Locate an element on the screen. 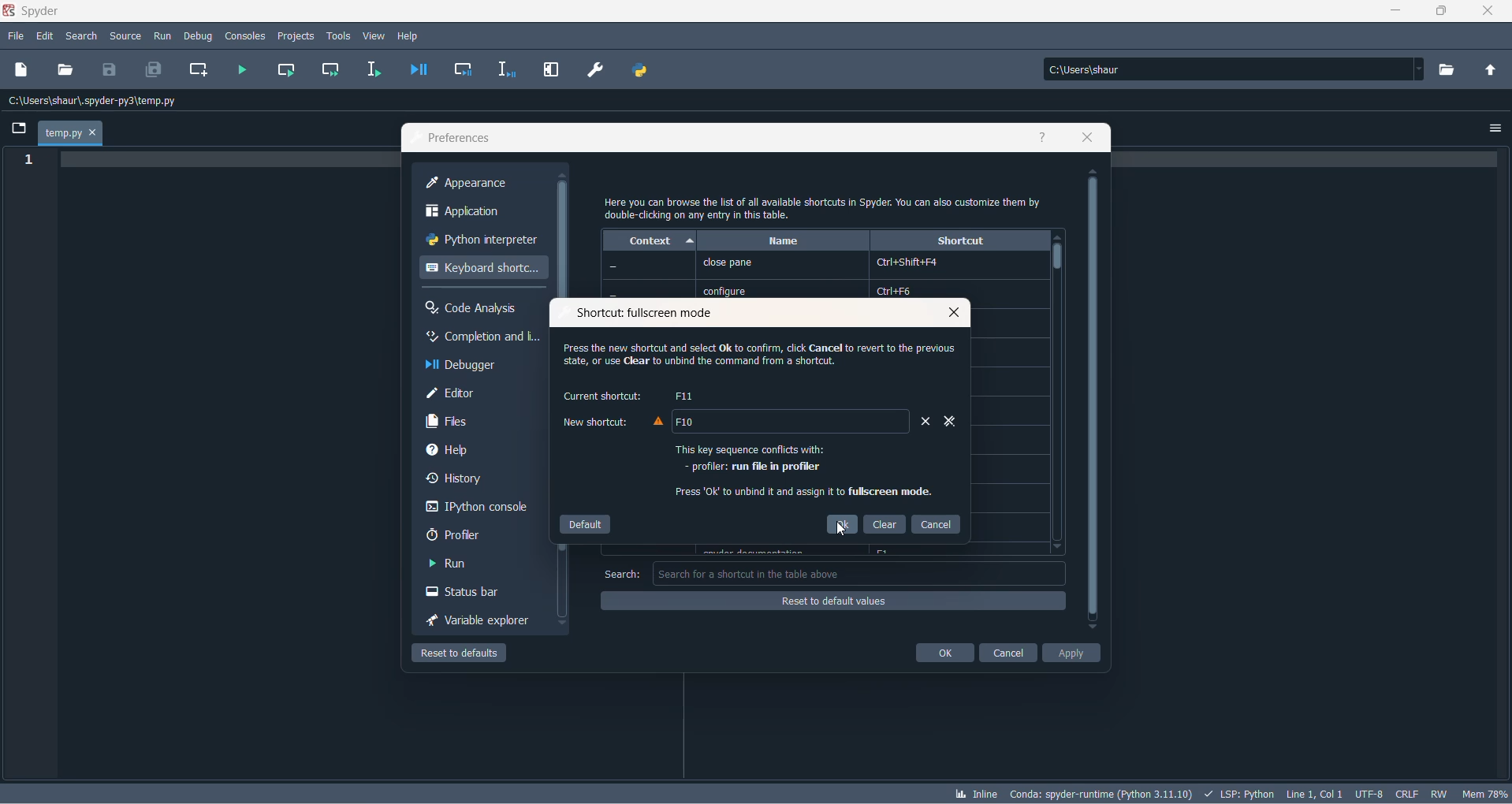 The width and height of the screenshot is (1512, 804). parent directory is located at coordinates (1495, 72).